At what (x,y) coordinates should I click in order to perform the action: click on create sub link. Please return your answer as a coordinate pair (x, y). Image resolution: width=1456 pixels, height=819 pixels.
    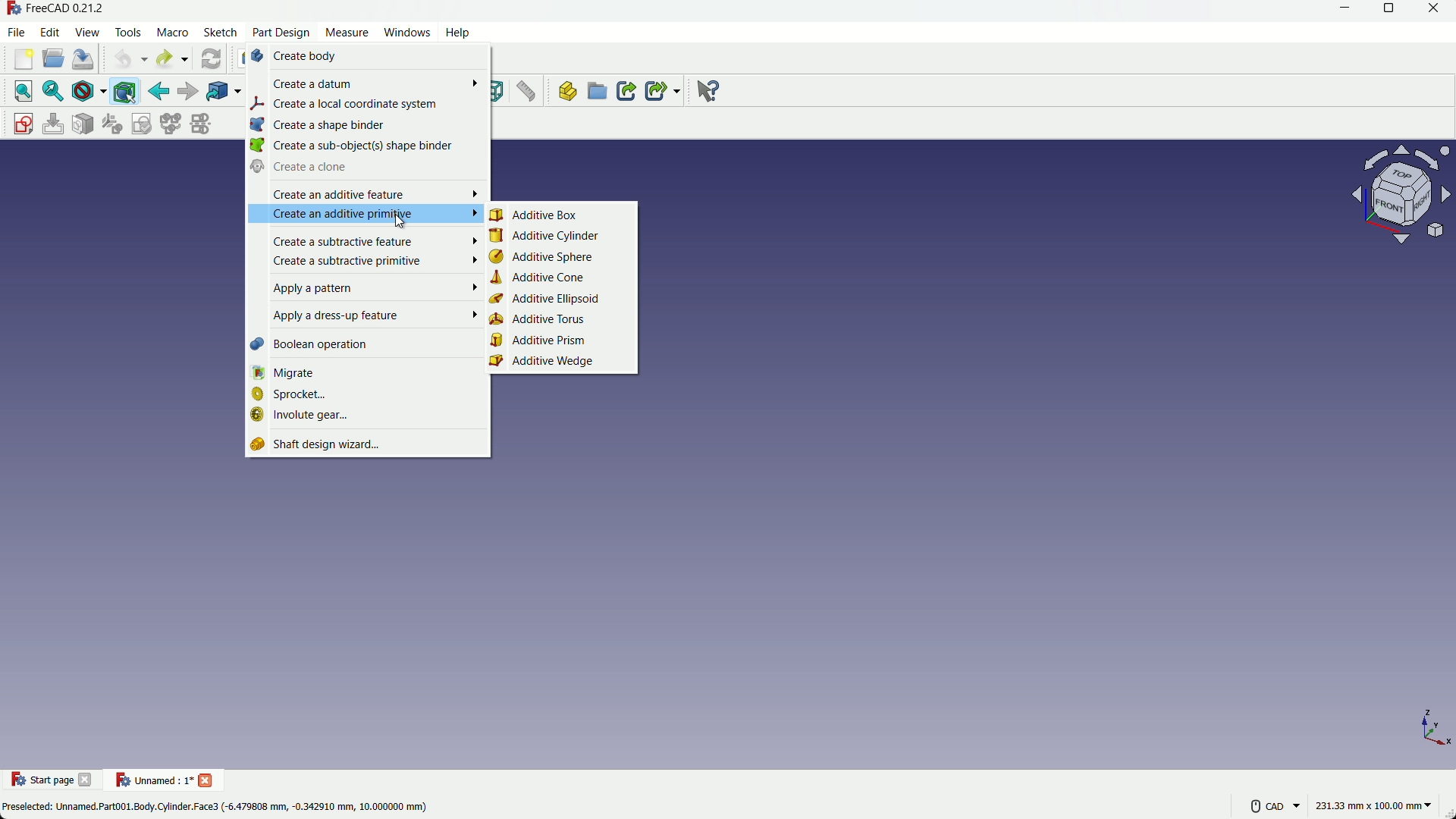
    Looking at the image, I should click on (660, 91).